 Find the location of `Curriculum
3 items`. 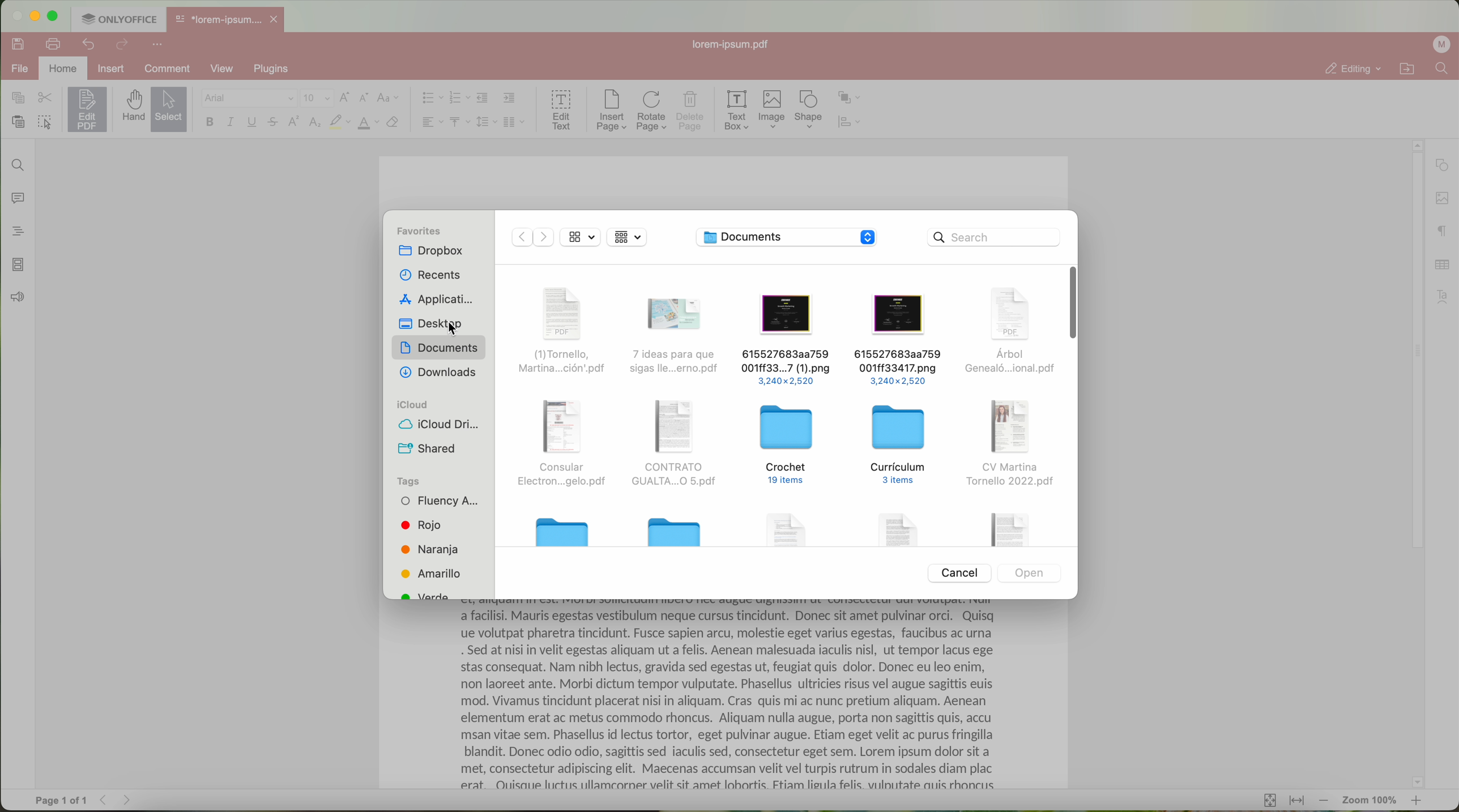

Curriculum
3 items is located at coordinates (901, 444).